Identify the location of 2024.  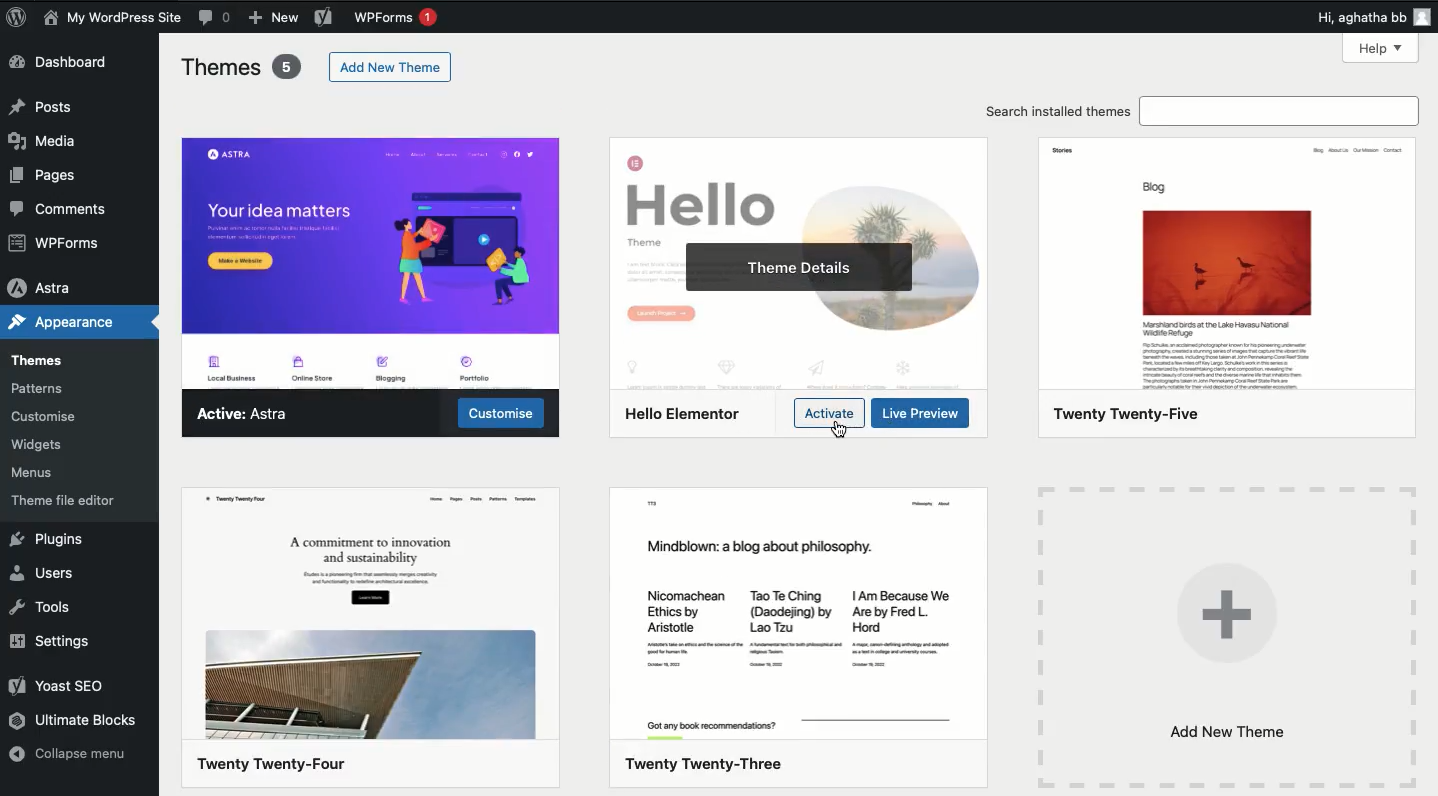
(371, 637).